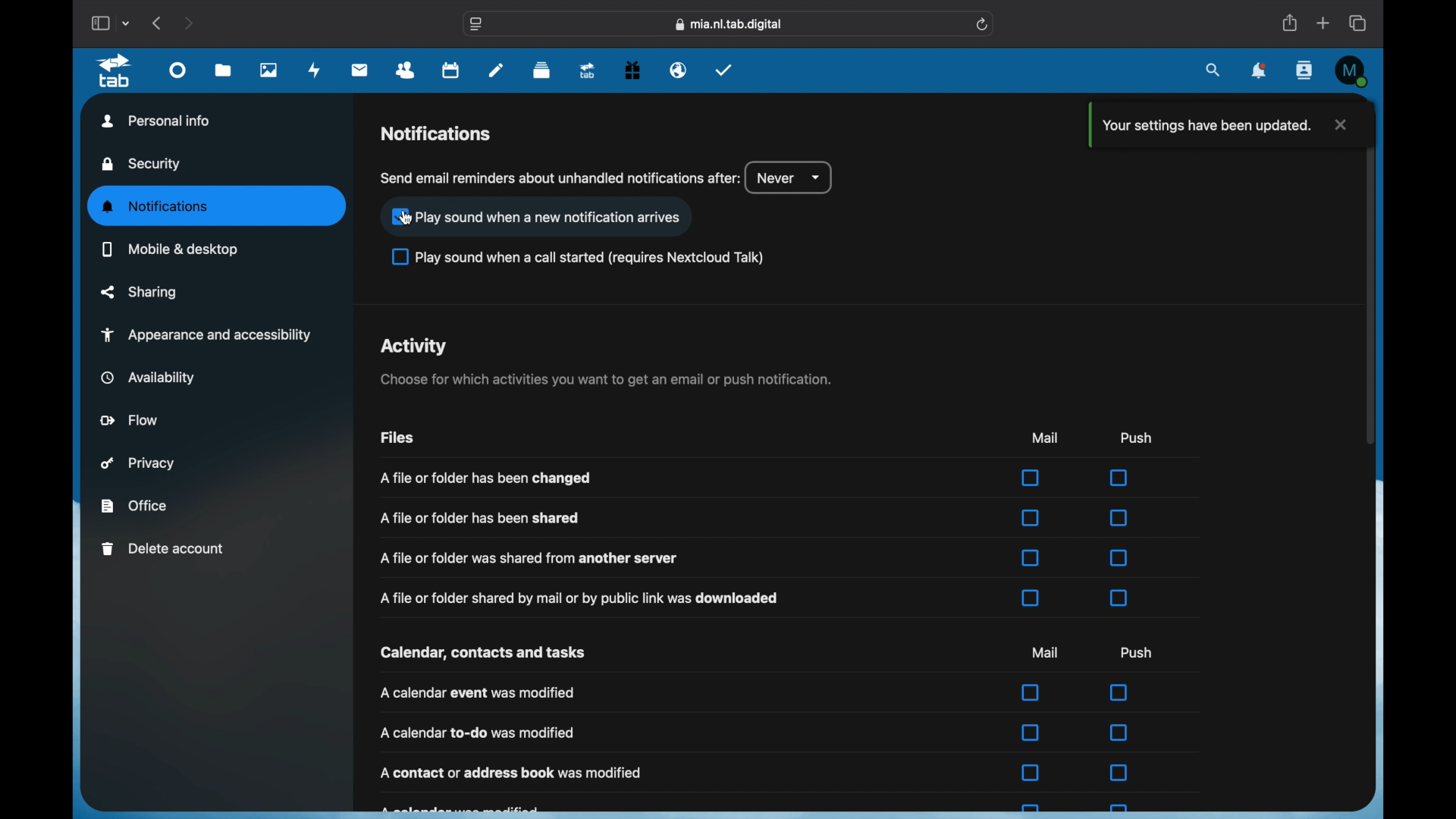 The image size is (1456, 819). I want to click on check box, so click(537, 216).